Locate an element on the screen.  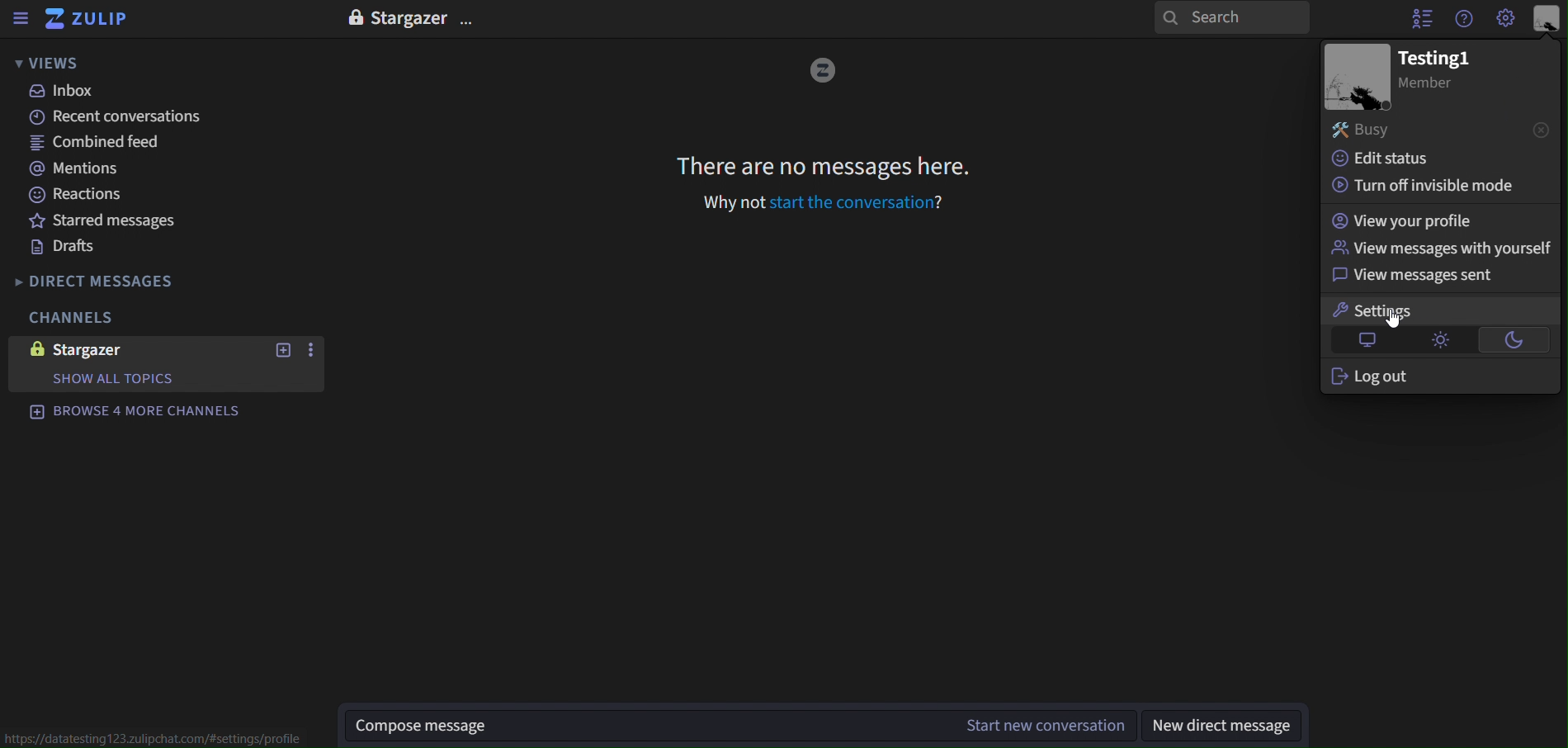
inbox is located at coordinates (65, 93).